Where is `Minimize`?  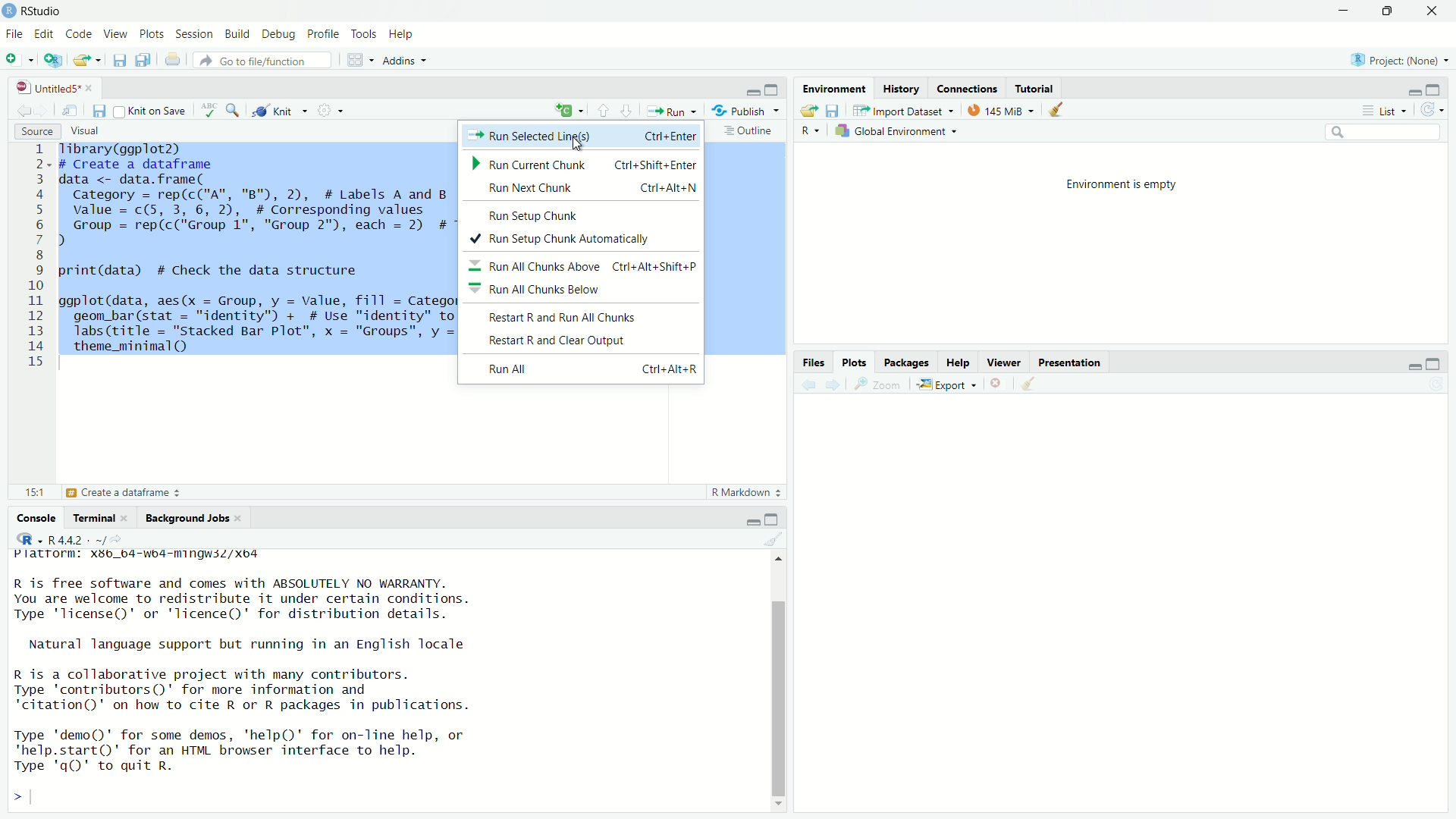 Minimize is located at coordinates (1345, 11).